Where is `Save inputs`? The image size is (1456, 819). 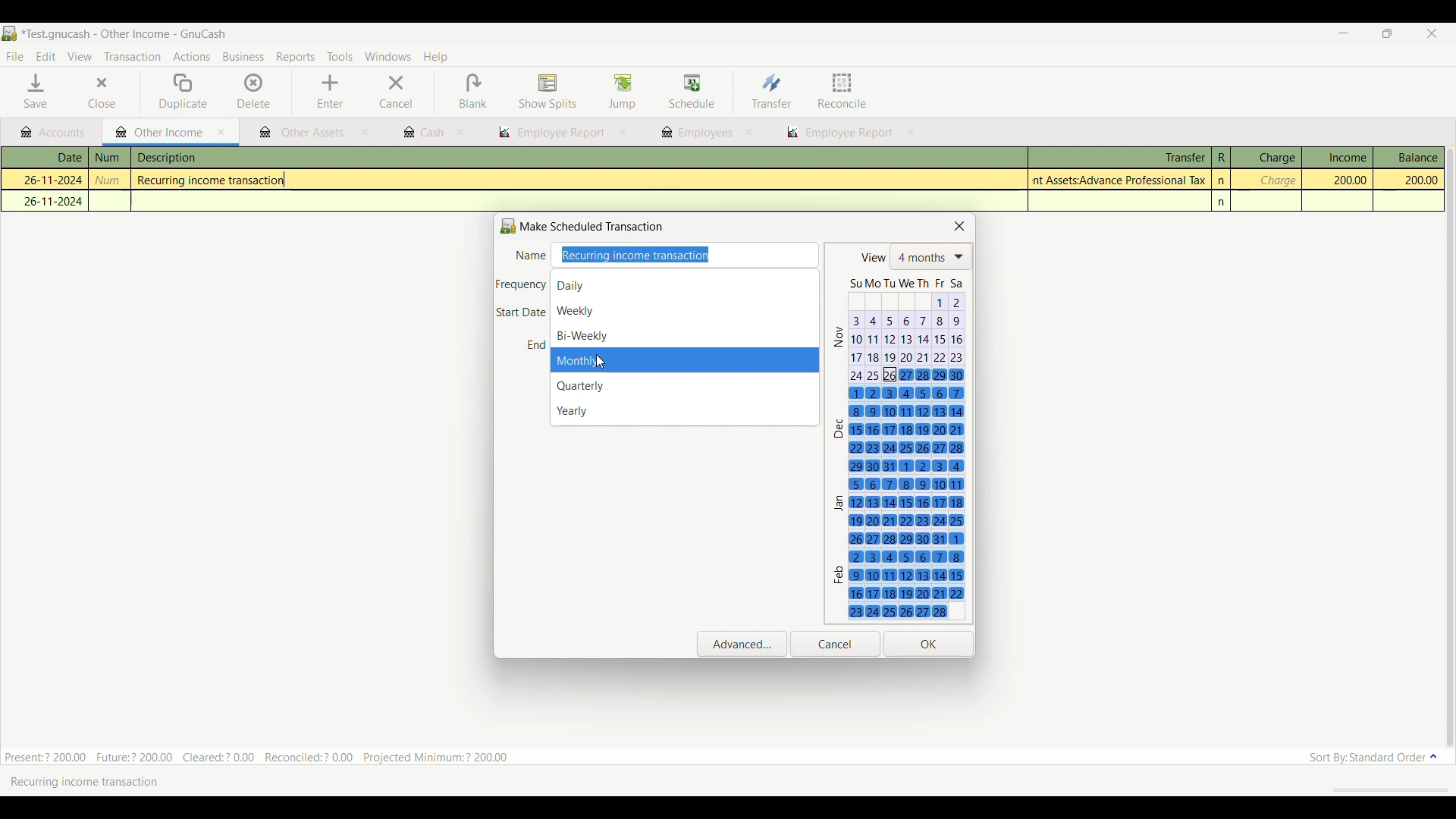 Save inputs is located at coordinates (929, 645).